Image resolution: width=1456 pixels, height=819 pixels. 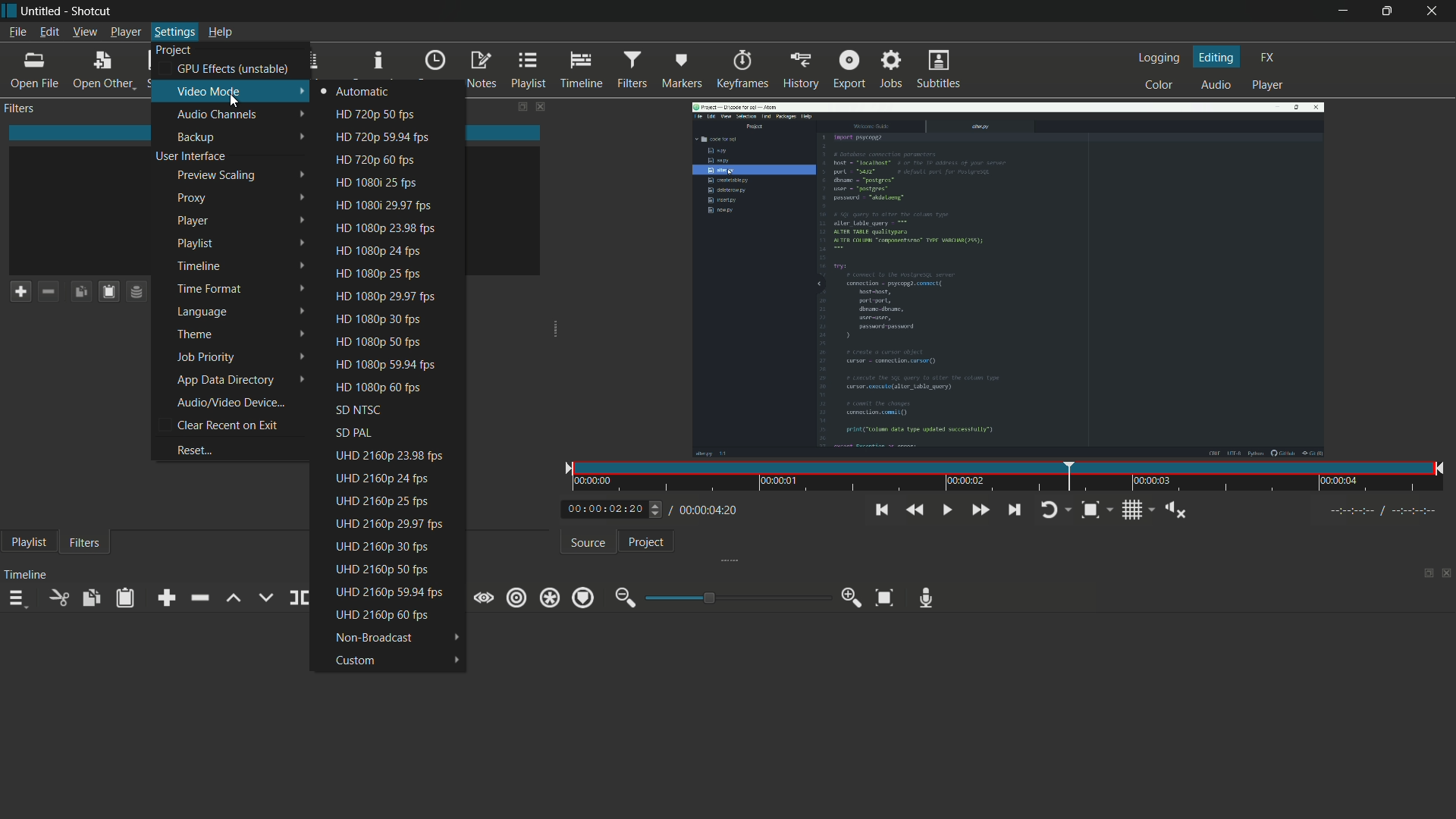 I want to click on timeline, so click(x=582, y=71).